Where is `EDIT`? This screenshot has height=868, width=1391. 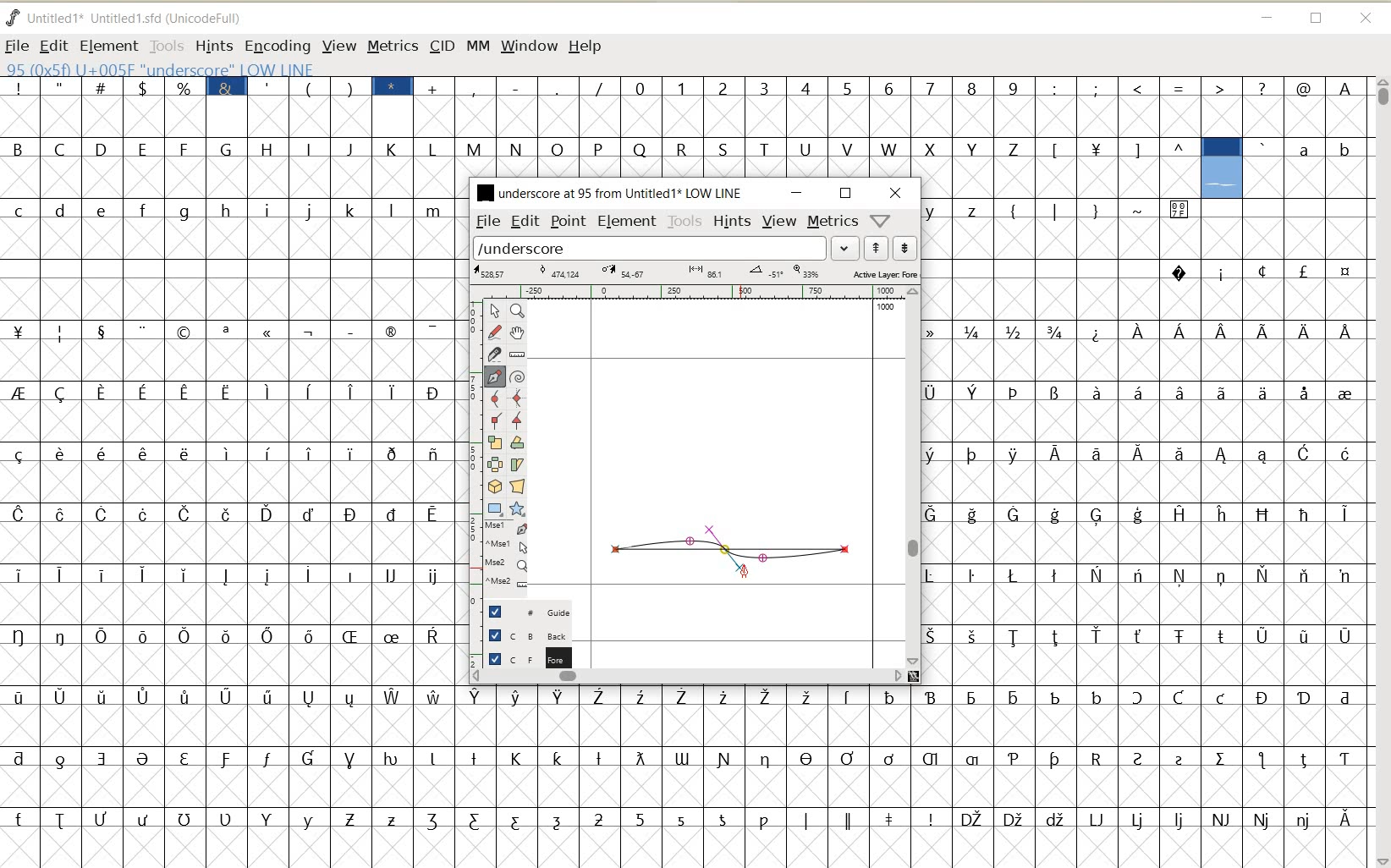 EDIT is located at coordinates (525, 221).